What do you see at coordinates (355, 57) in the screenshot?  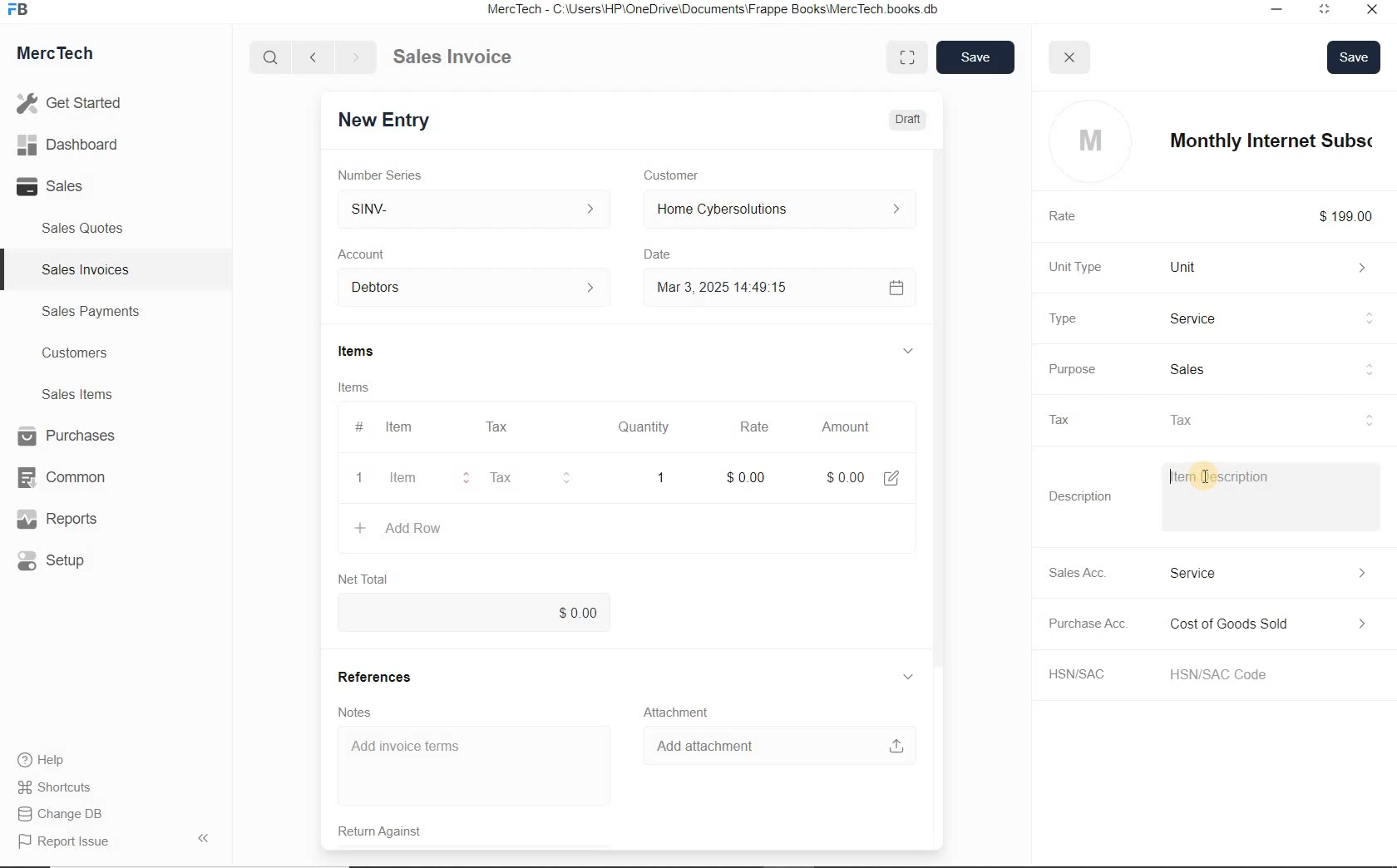 I see `Go forward` at bounding box center [355, 57].